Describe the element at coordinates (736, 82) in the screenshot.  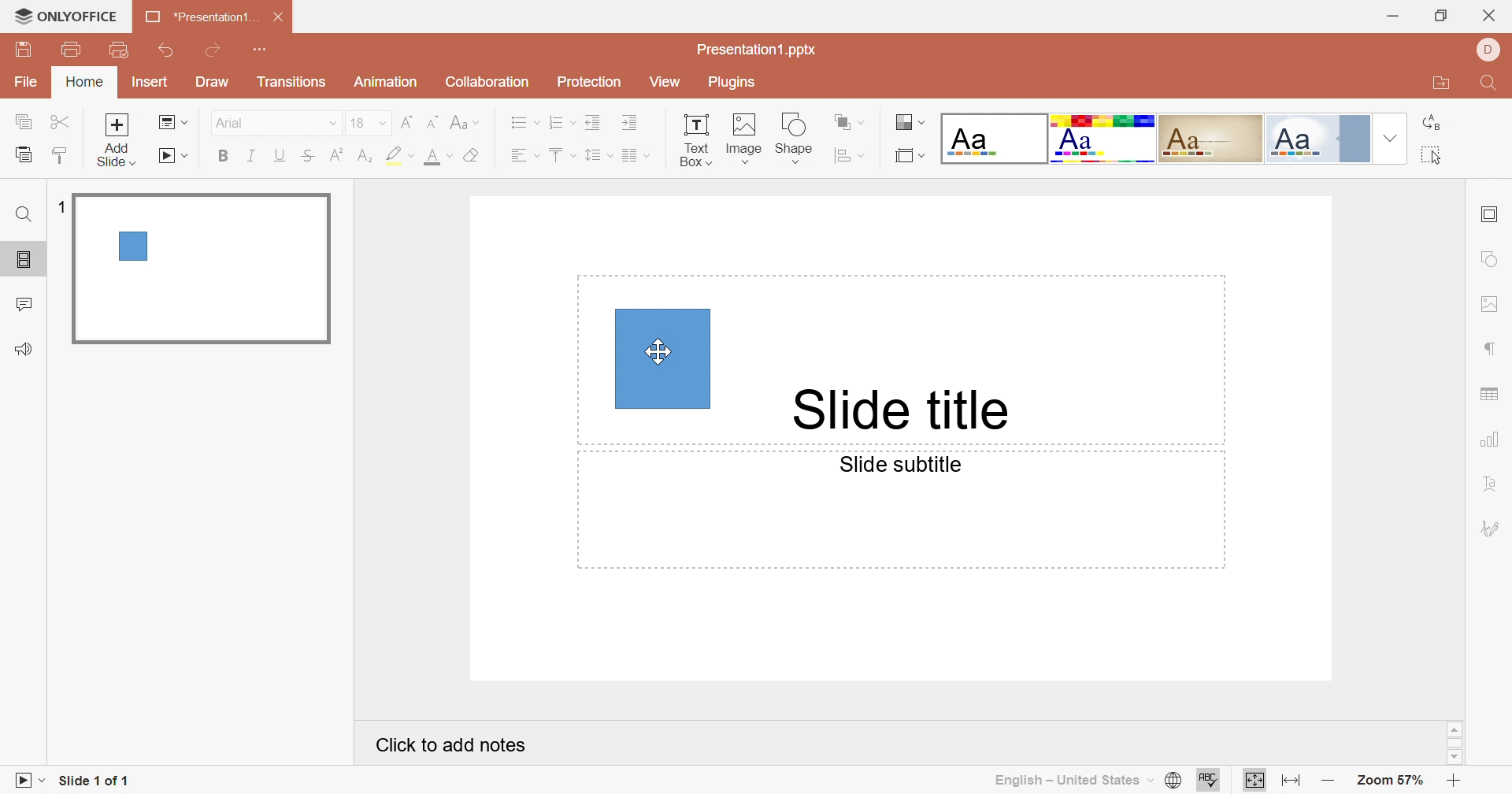
I see `Plugins` at that location.